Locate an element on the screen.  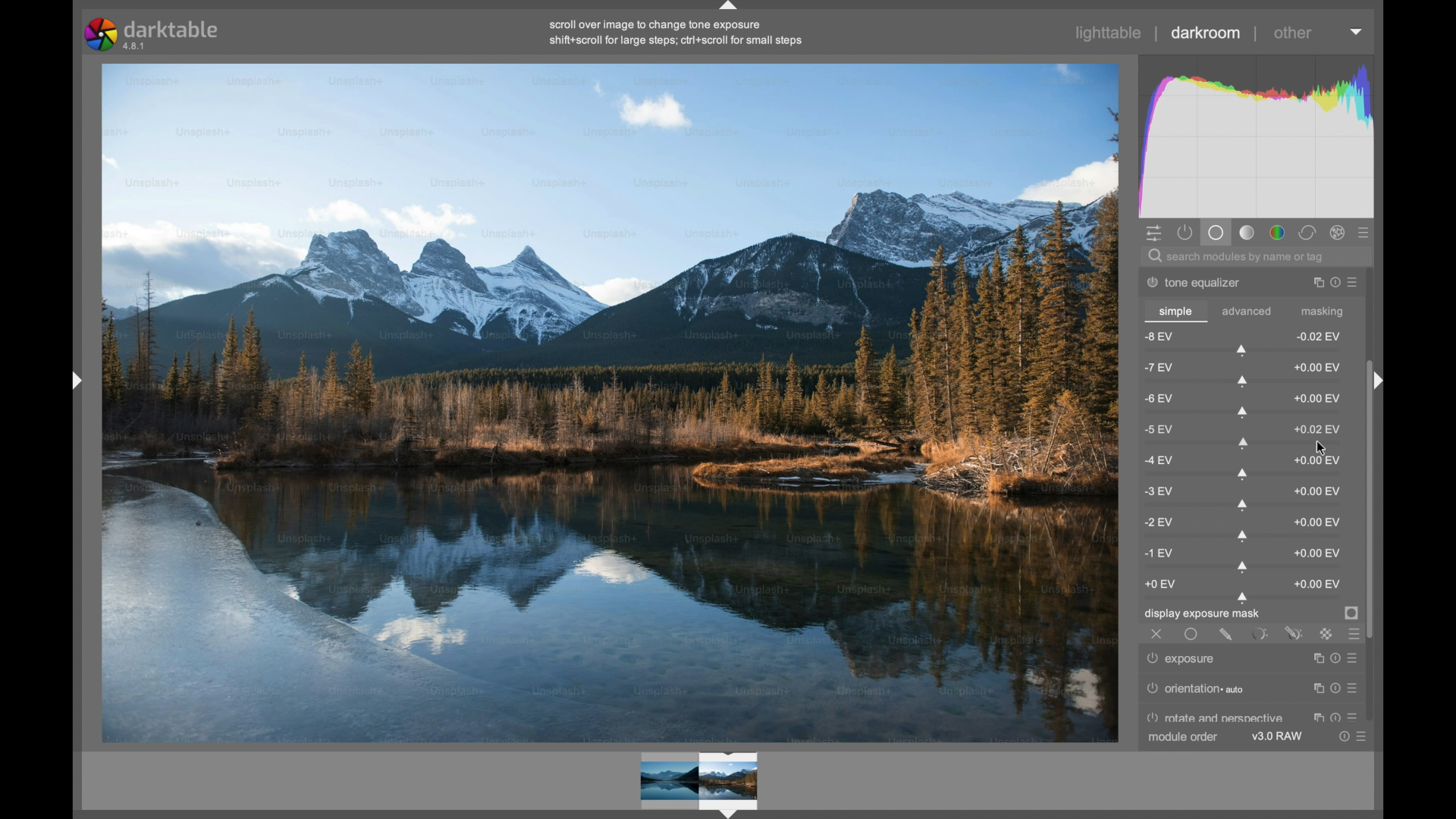
other is located at coordinates (1294, 33).